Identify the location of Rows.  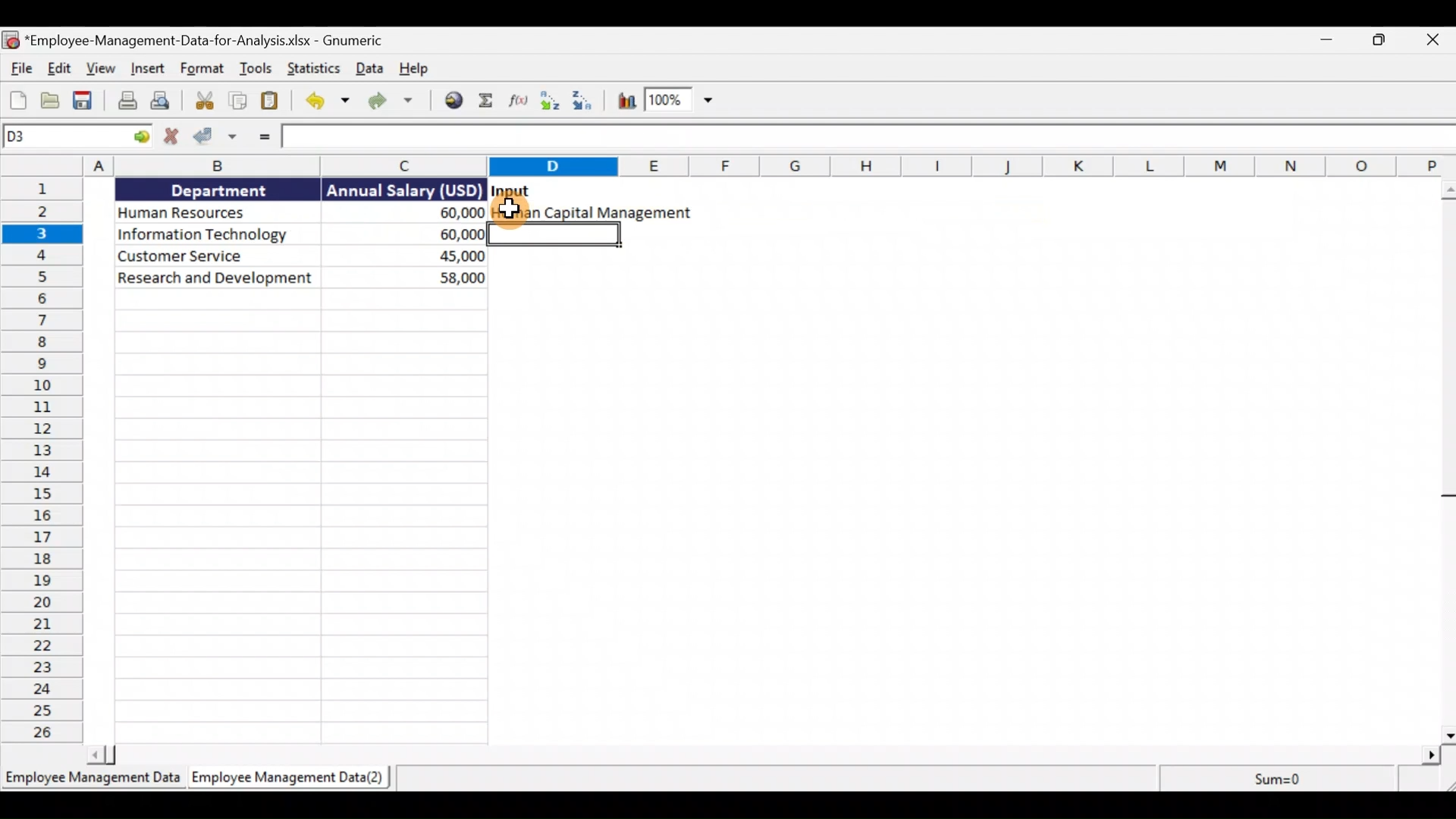
(49, 461).